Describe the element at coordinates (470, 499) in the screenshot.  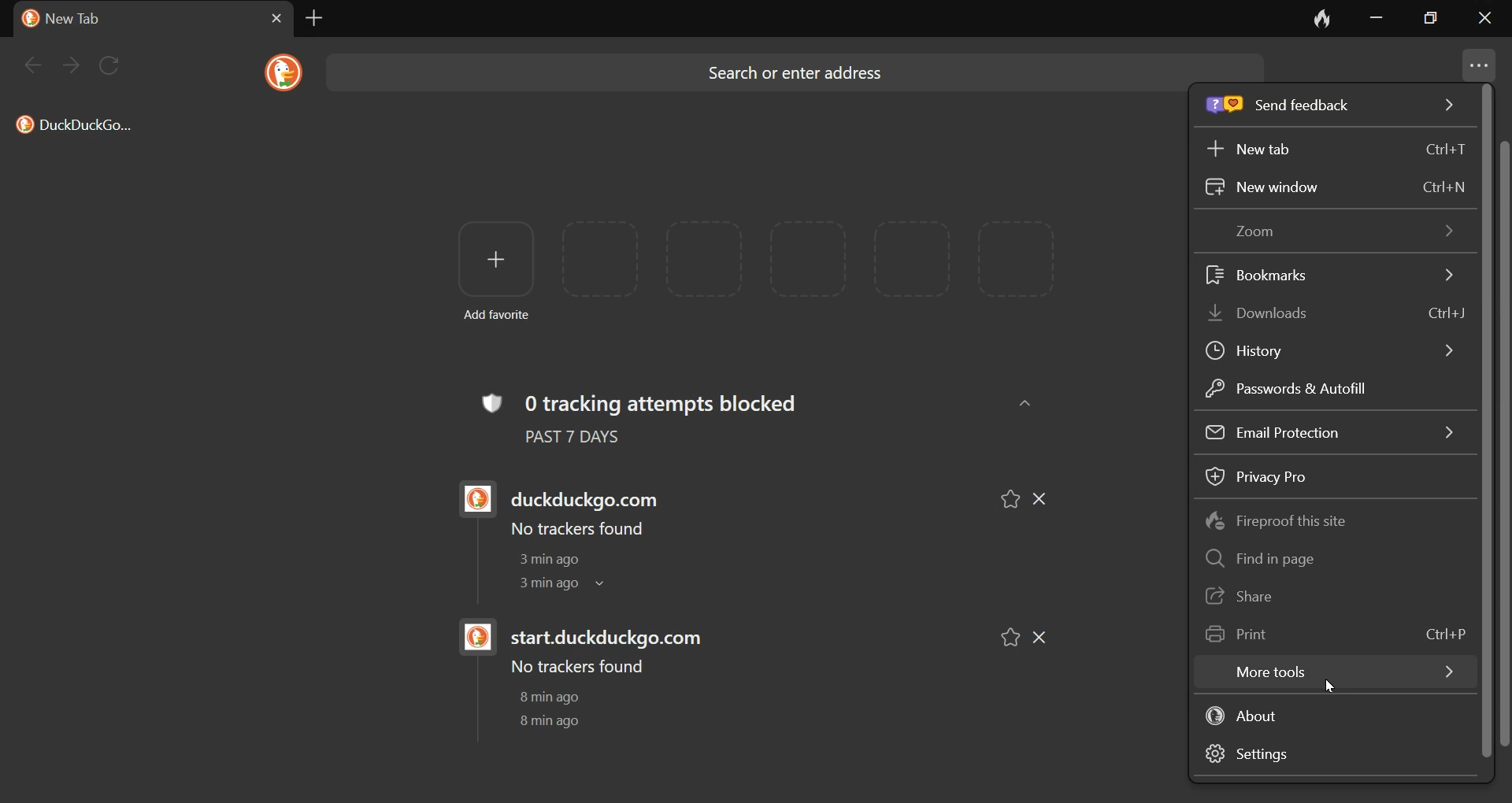
I see `duckduck go logo` at that location.